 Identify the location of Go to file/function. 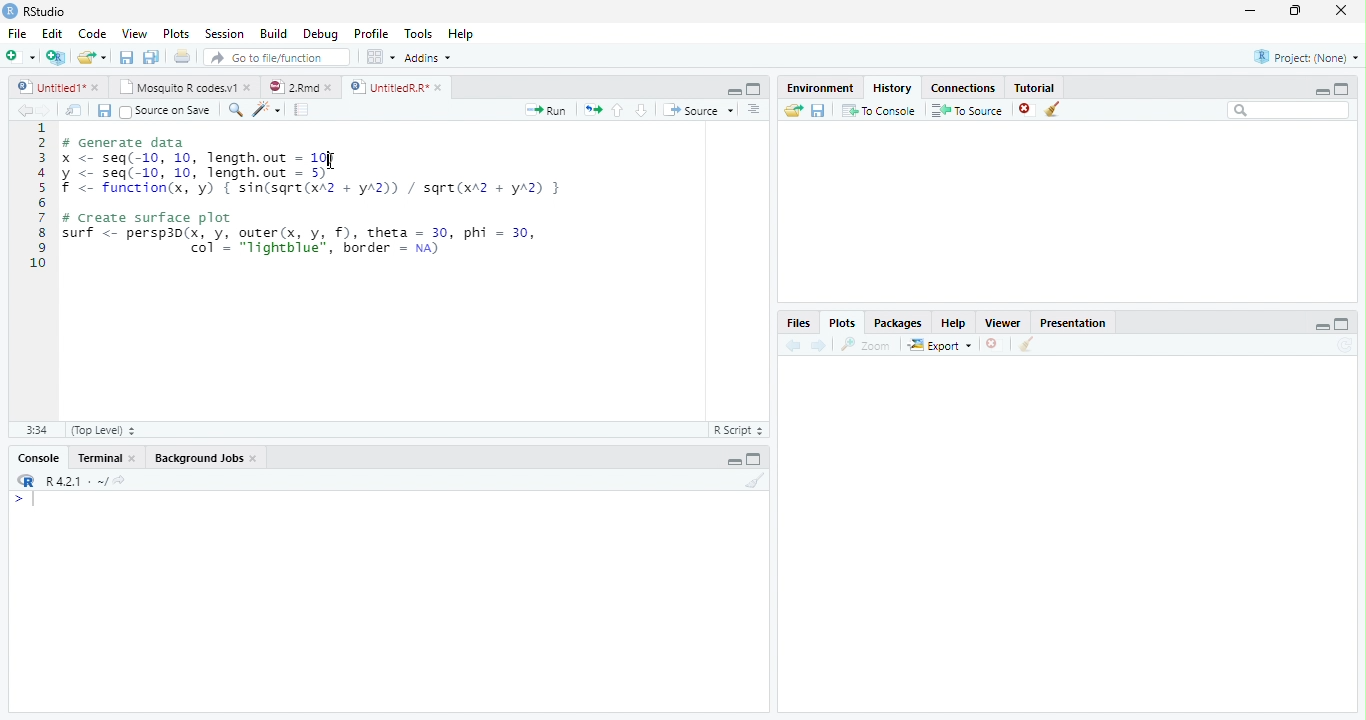
(277, 56).